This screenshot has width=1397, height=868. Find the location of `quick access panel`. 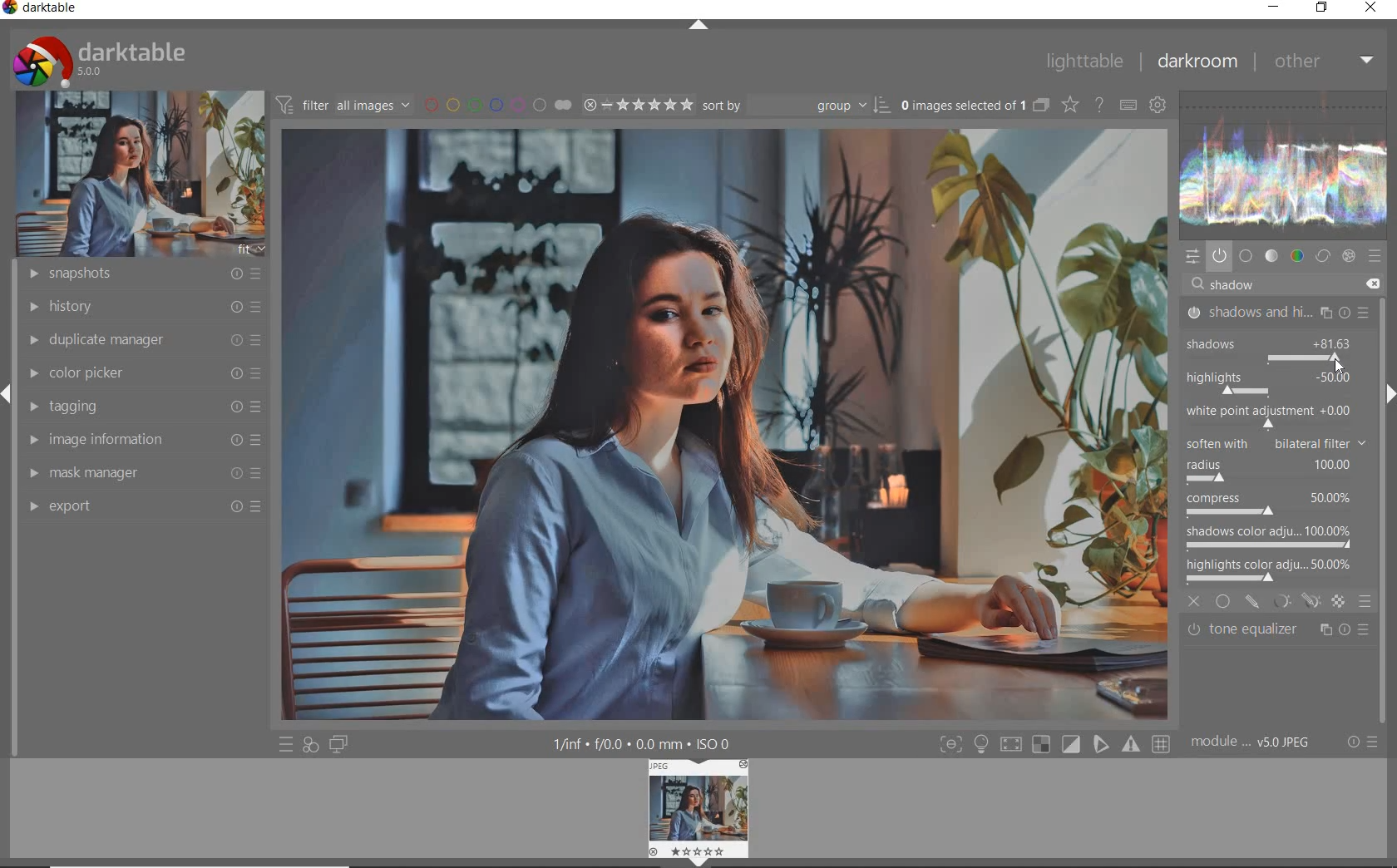

quick access panel is located at coordinates (1194, 258).